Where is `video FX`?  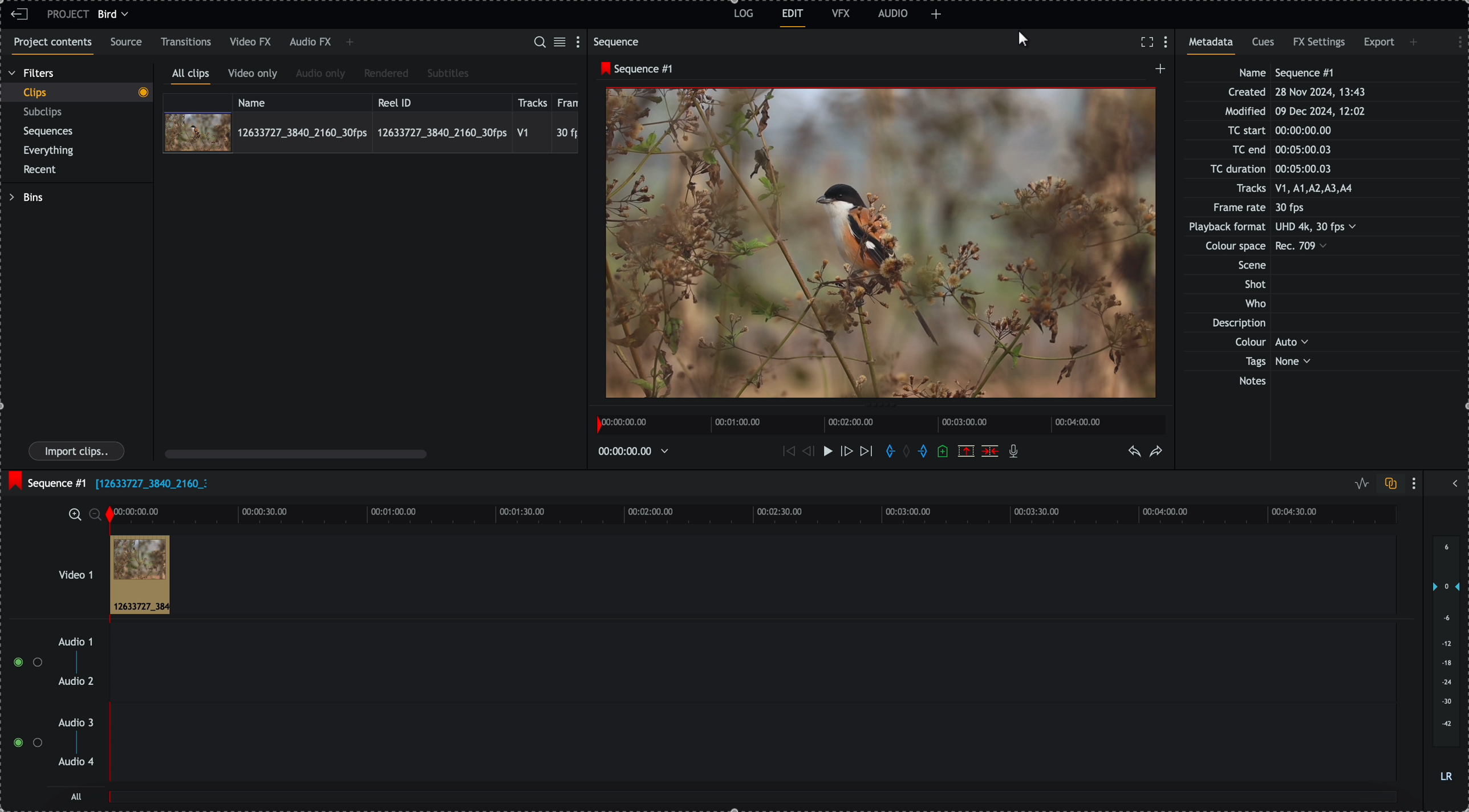 video FX is located at coordinates (251, 42).